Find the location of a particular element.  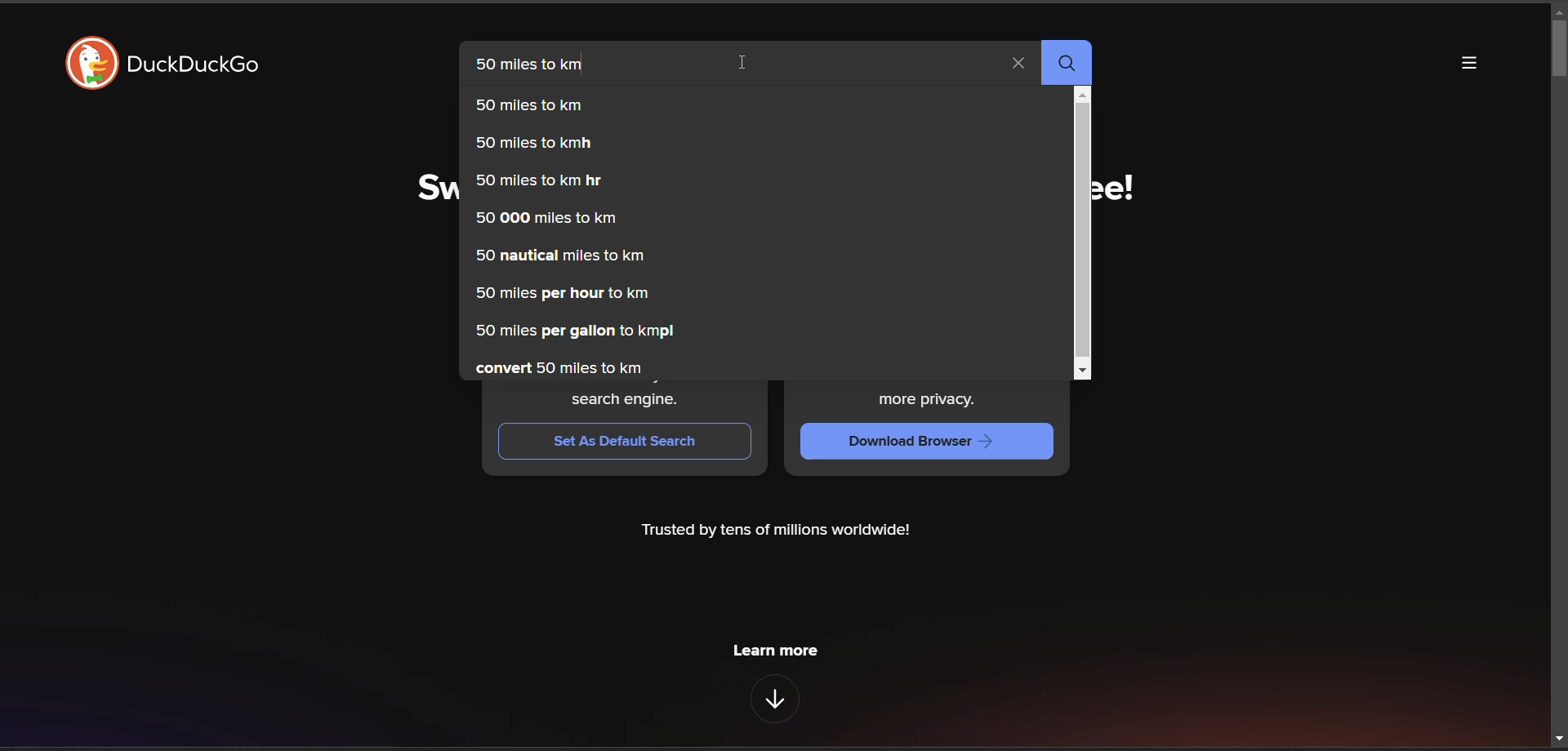

more privacy. is located at coordinates (924, 400).